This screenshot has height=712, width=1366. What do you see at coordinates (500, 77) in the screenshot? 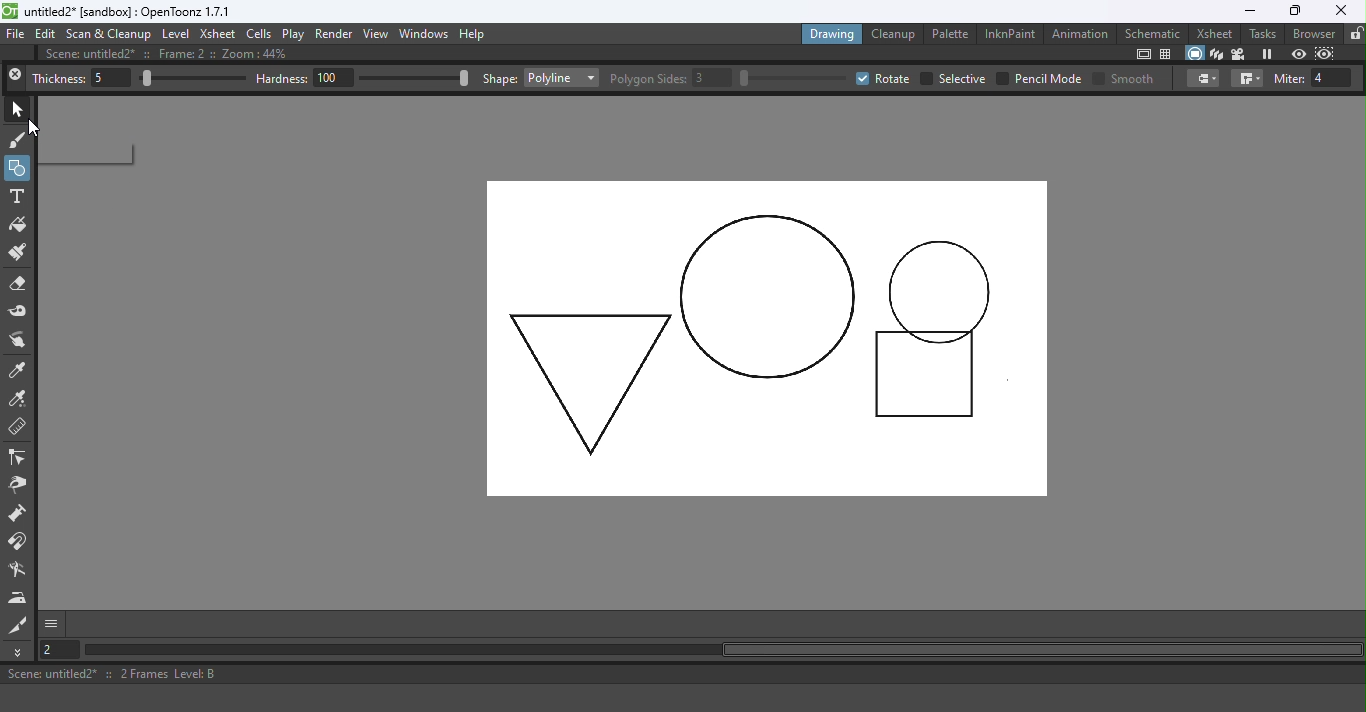
I see `Shape` at bounding box center [500, 77].